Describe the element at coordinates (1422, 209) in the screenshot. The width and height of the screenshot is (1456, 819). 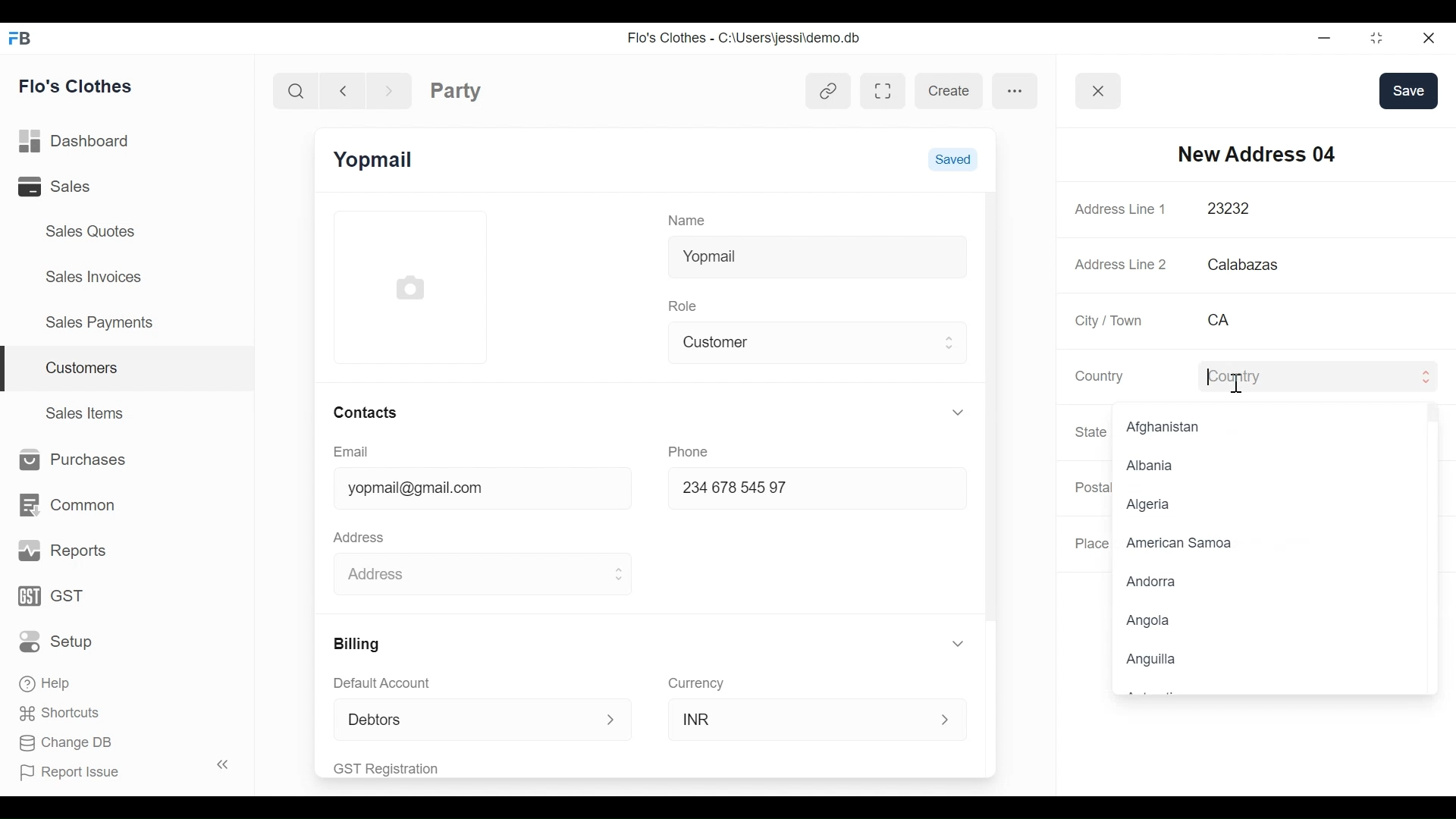
I see `Asterisk` at that location.